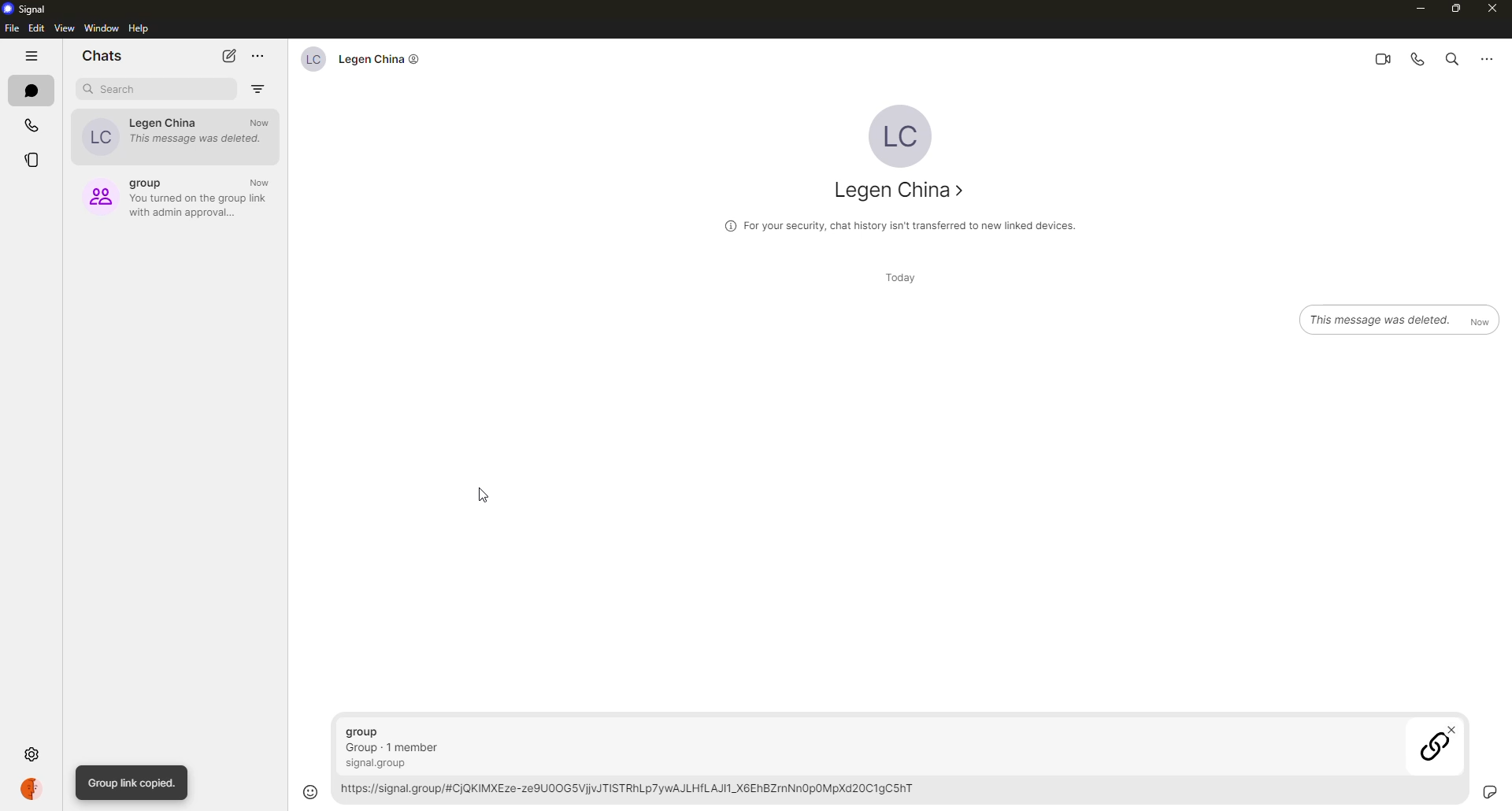  What do you see at coordinates (357, 58) in the screenshot?
I see `contact` at bounding box center [357, 58].